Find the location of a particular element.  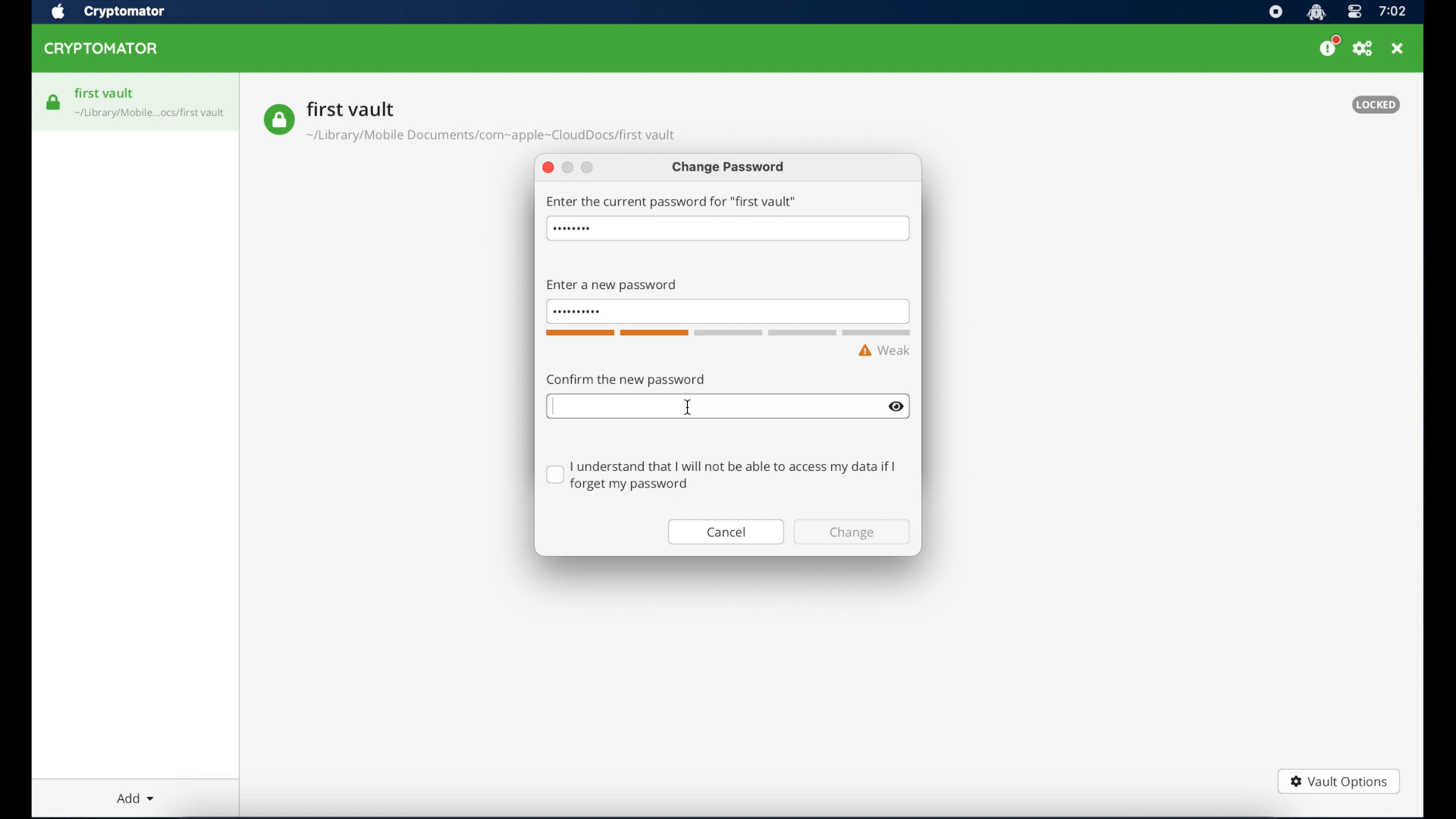

enter new password  is located at coordinates (611, 286).